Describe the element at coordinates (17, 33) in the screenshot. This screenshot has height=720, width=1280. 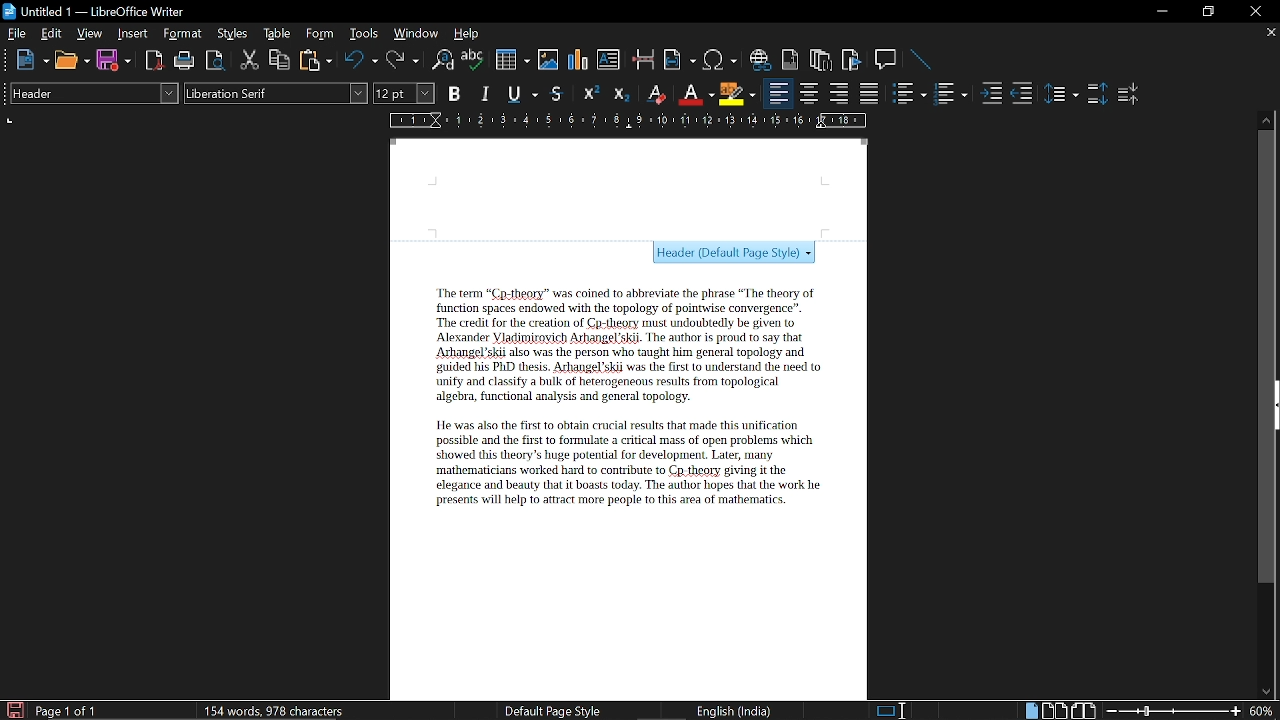
I see `File` at that location.